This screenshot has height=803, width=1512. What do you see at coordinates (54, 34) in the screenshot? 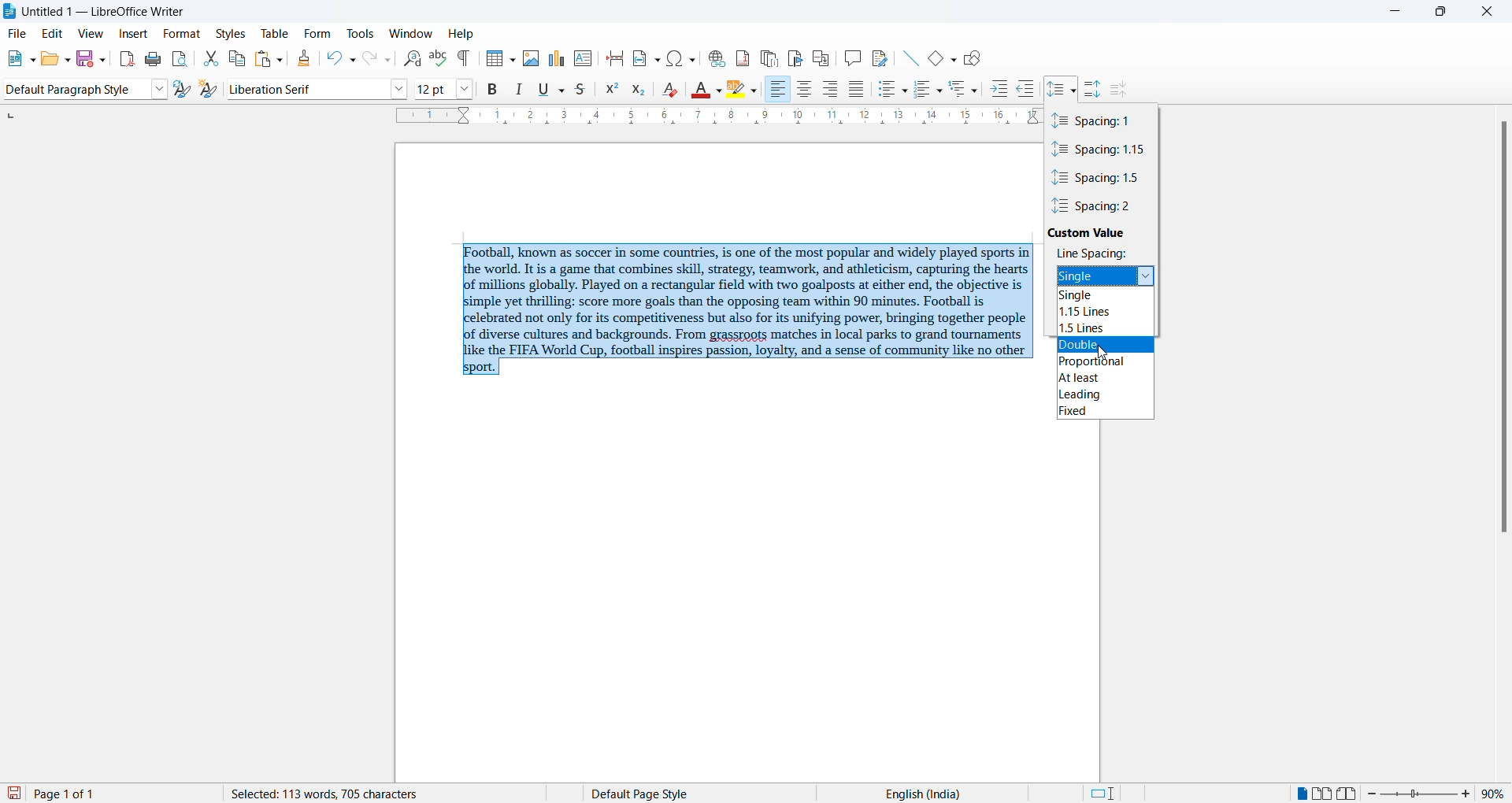
I see `edit` at bounding box center [54, 34].